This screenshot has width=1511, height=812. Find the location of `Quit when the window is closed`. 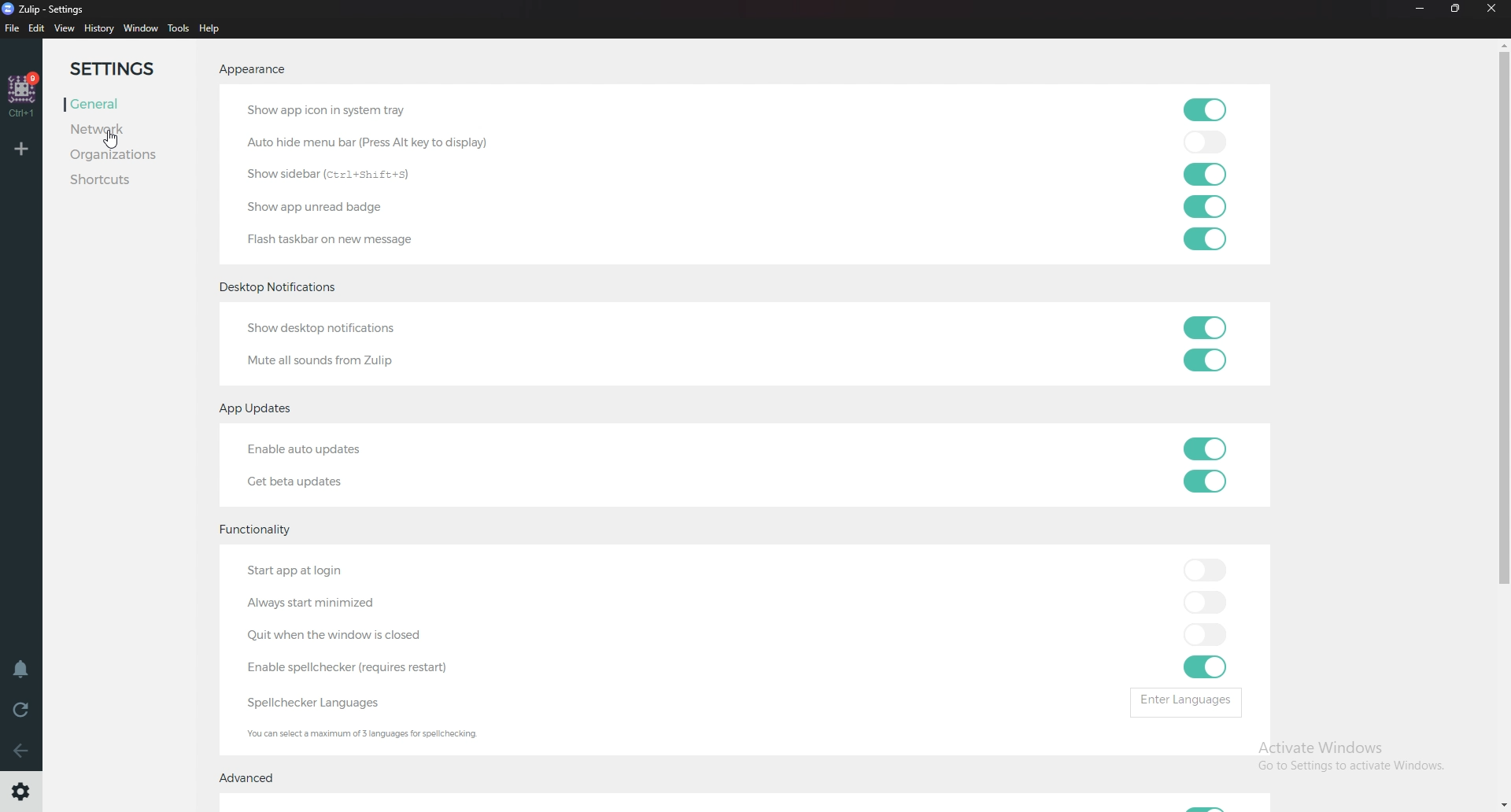

Quit when the window is closed is located at coordinates (371, 637).